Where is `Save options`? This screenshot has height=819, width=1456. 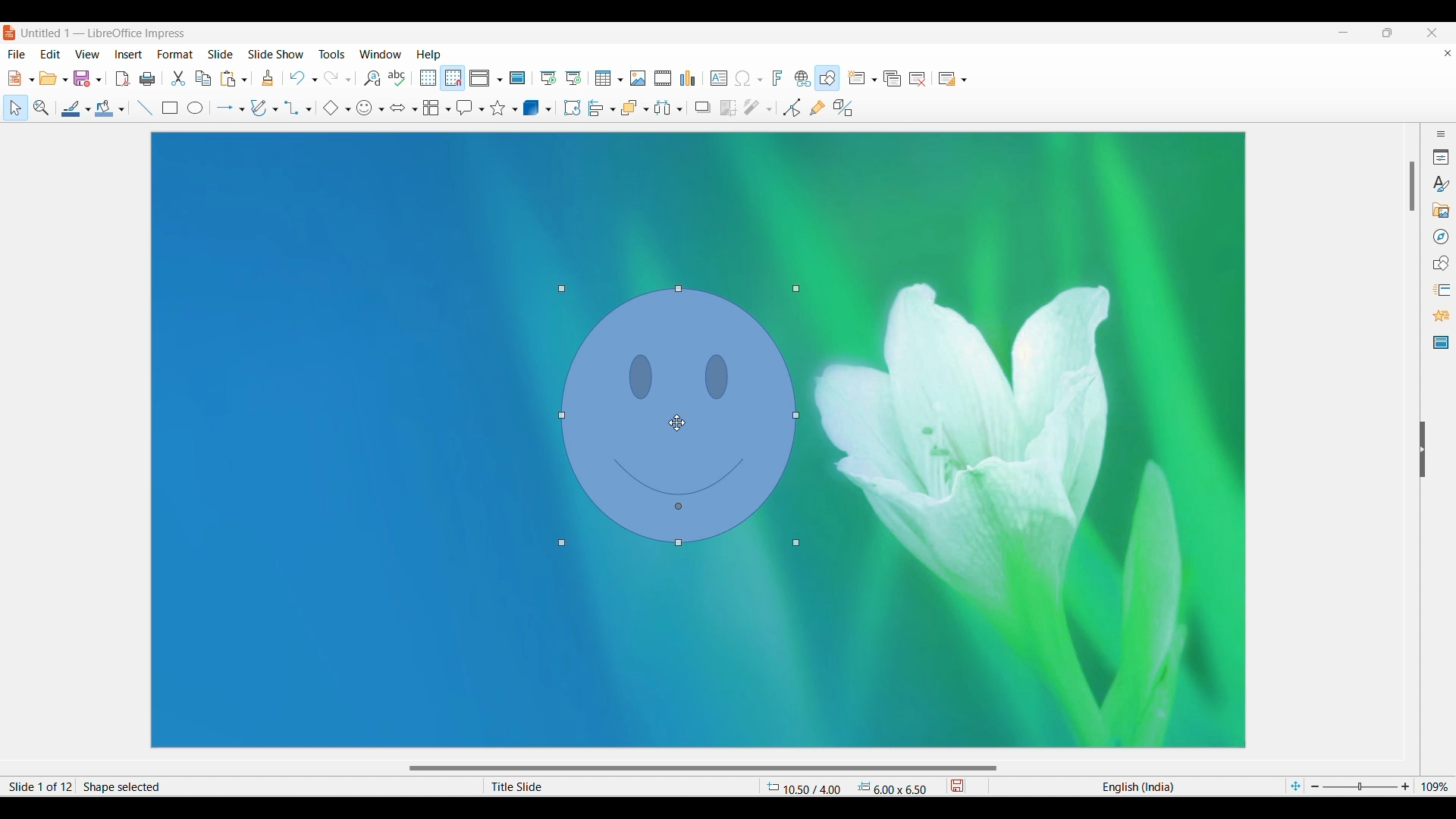 Save options is located at coordinates (99, 80).